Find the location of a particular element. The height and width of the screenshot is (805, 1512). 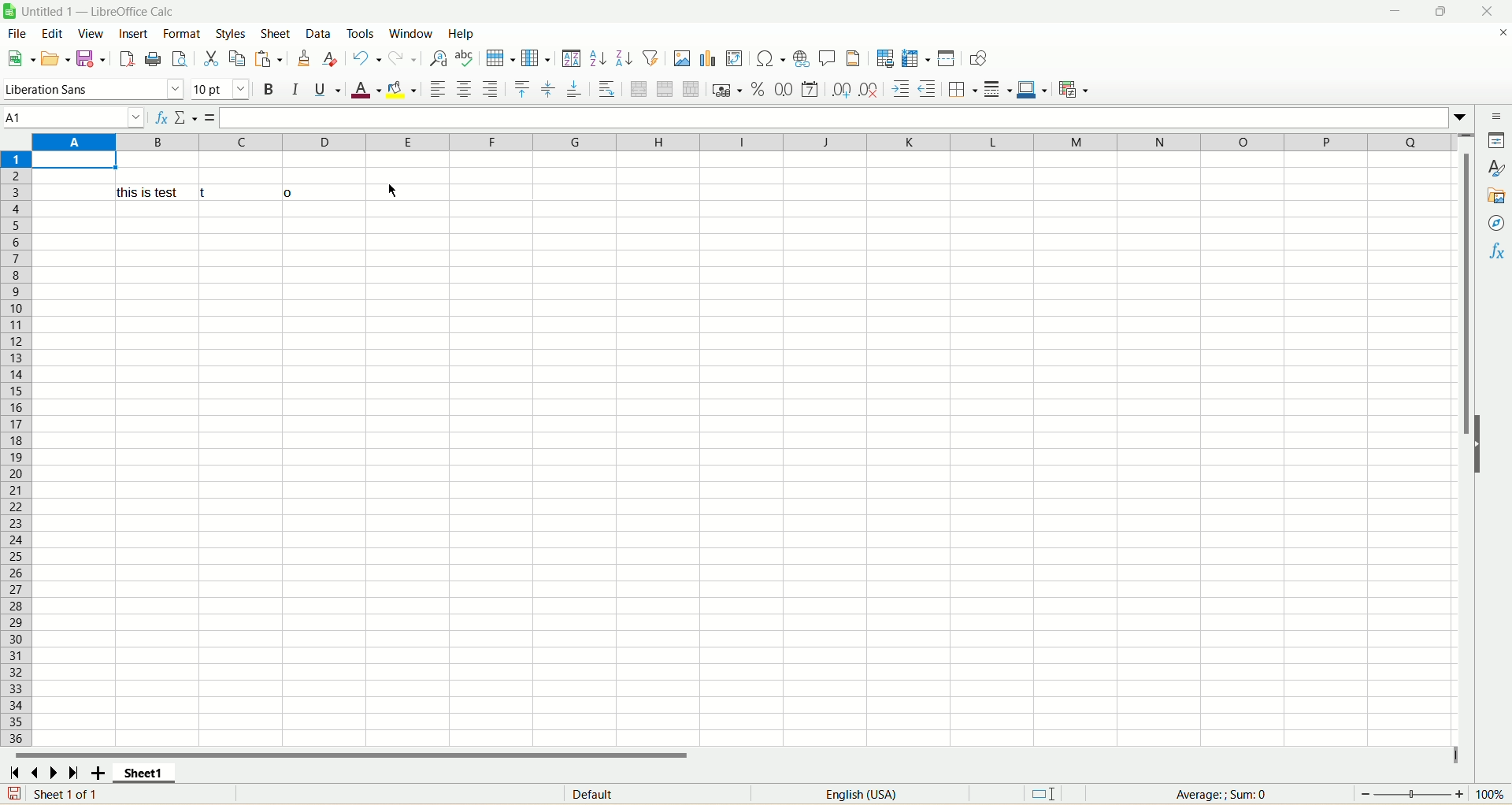

italics is located at coordinates (297, 91).